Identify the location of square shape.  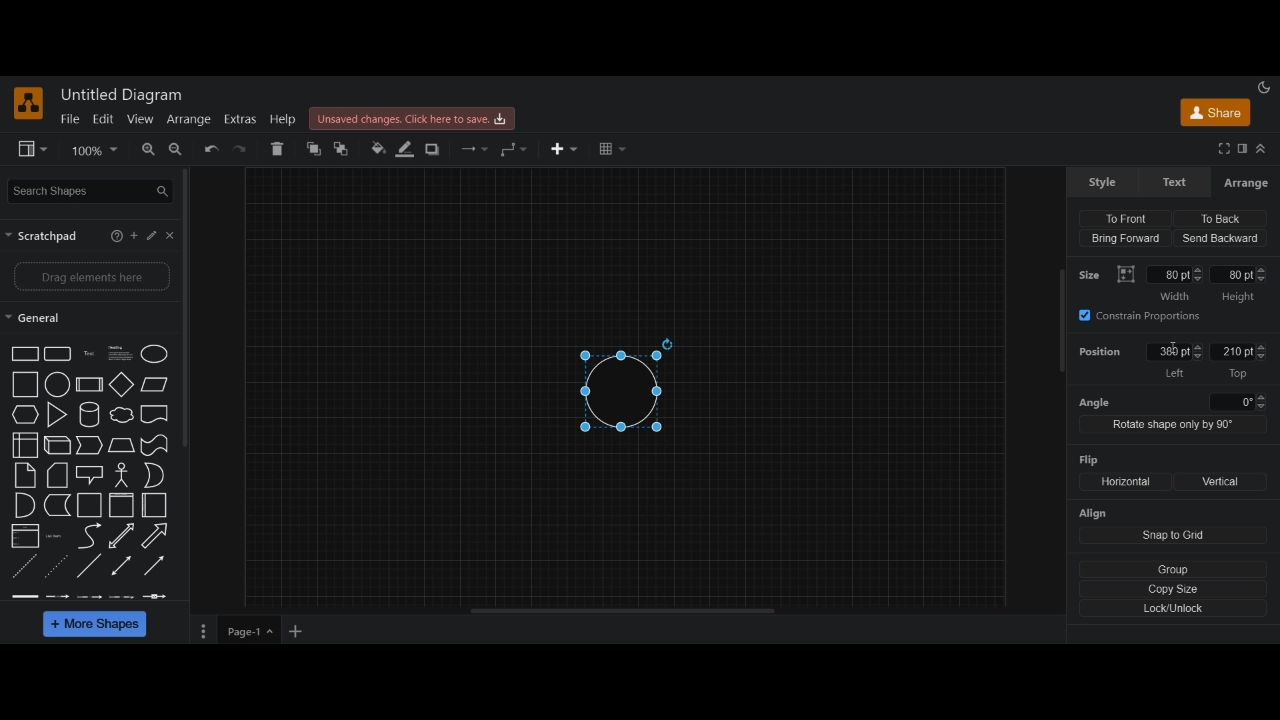
(122, 506).